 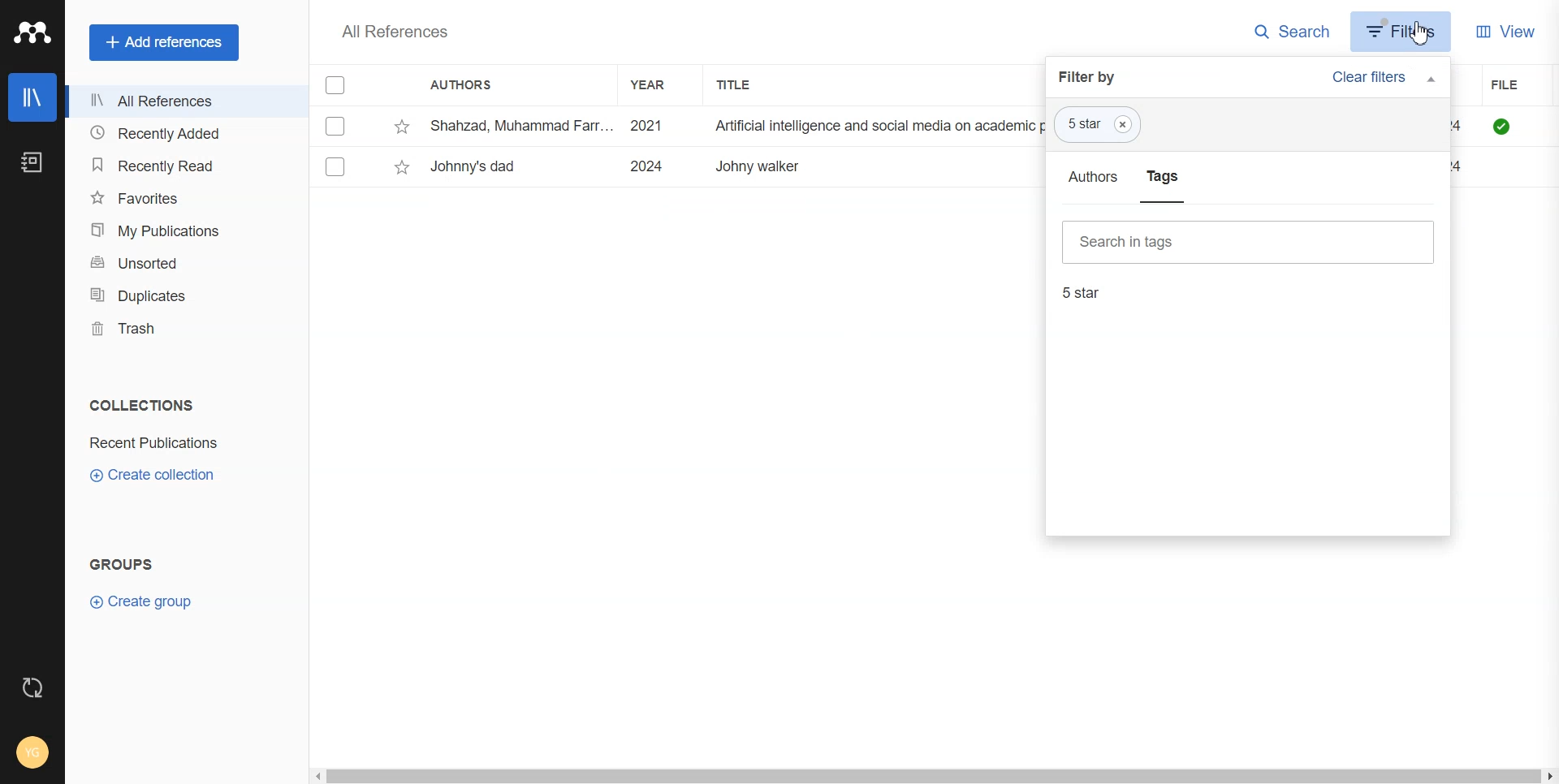 What do you see at coordinates (748, 84) in the screenshot?
I see `Title` at bounding box center [748, 84].